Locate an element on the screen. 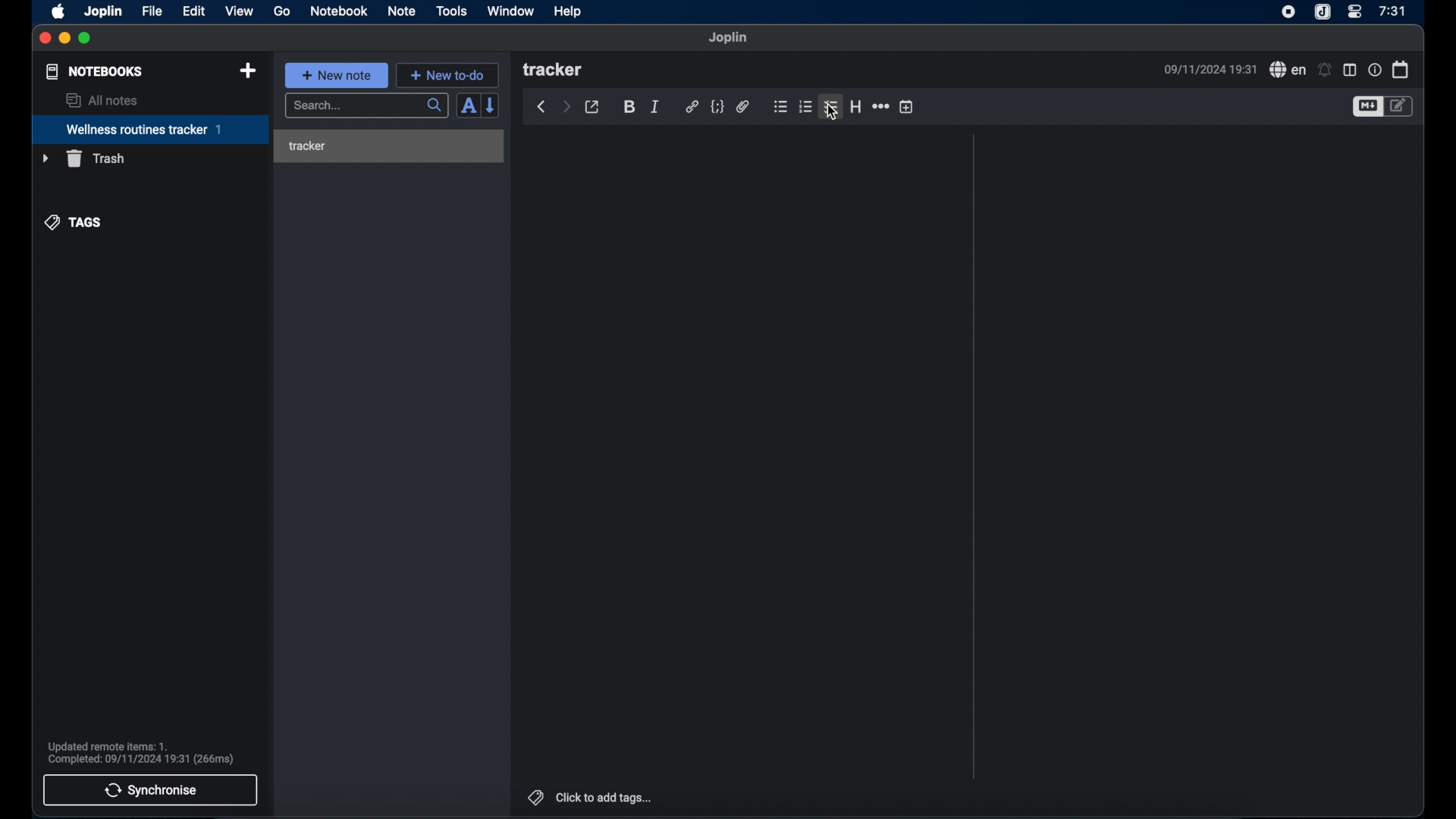  window is located at coordinates (511, 11).